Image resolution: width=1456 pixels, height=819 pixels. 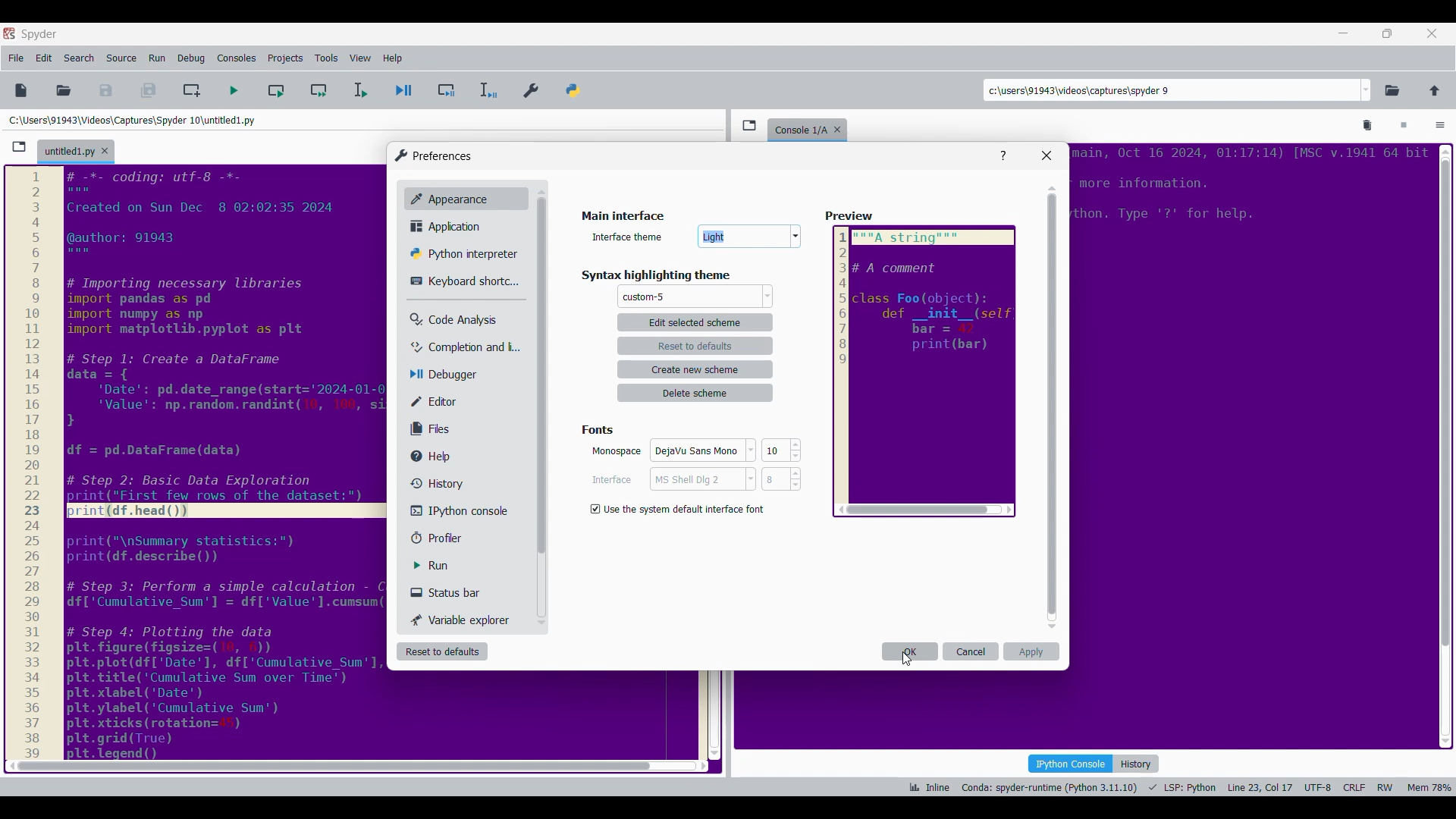 What do you see at coordinates (1137, 764) in the screenshot?
I see `History` at bounding box center [1137, 764].